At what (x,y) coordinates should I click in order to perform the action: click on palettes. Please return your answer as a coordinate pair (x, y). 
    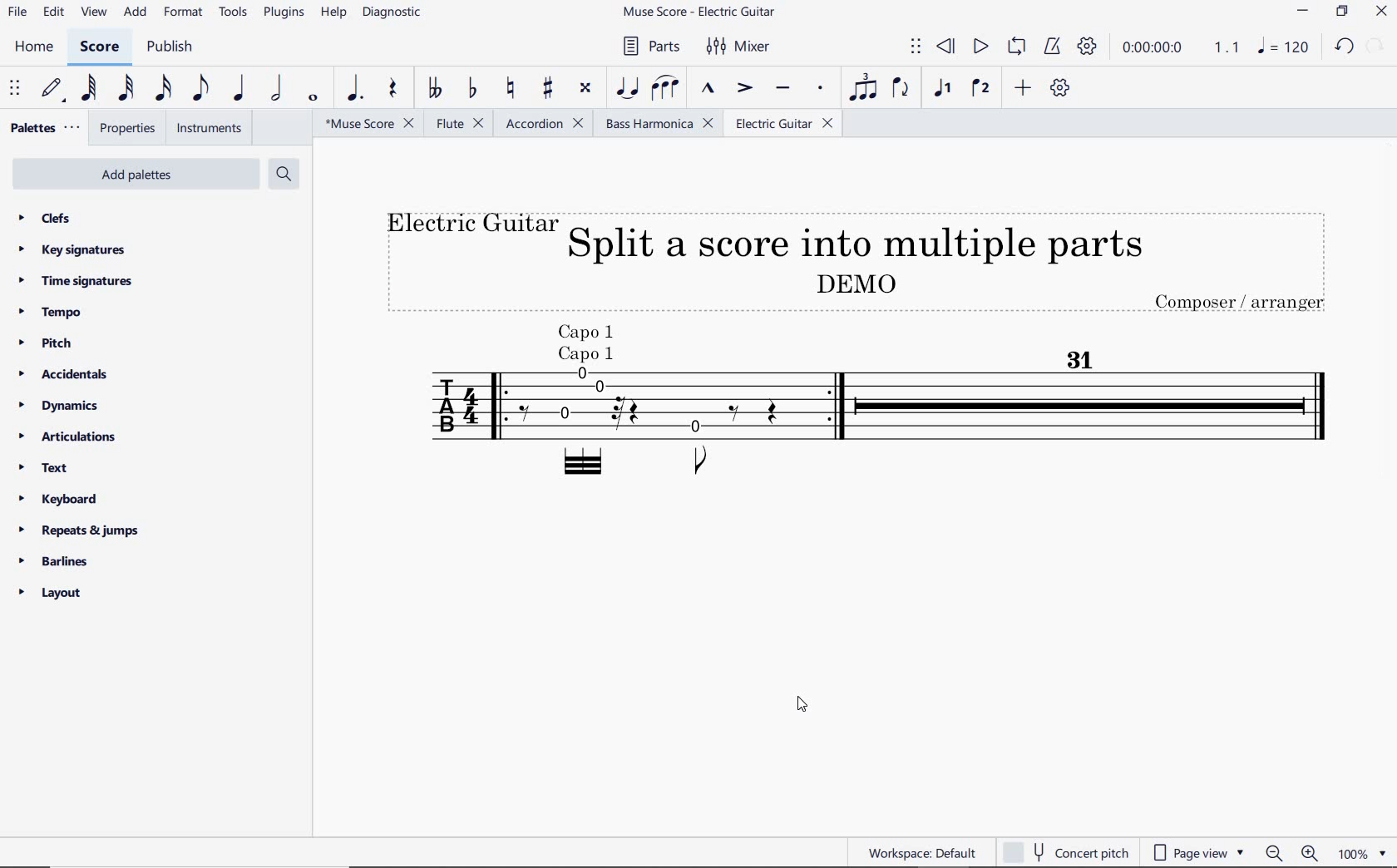
    Looking at the image, I should click on (46, 126).